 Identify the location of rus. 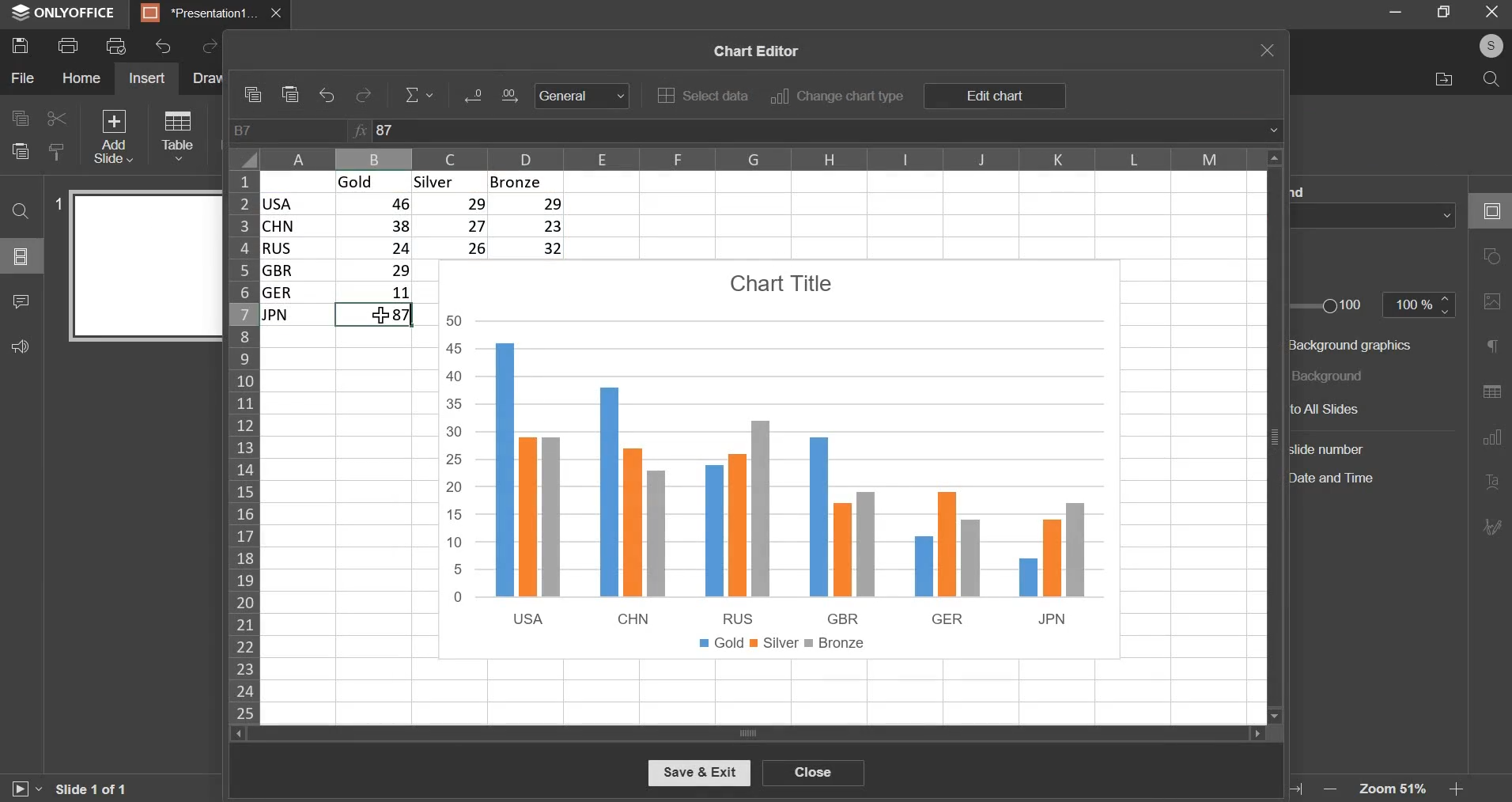
(296, 248).